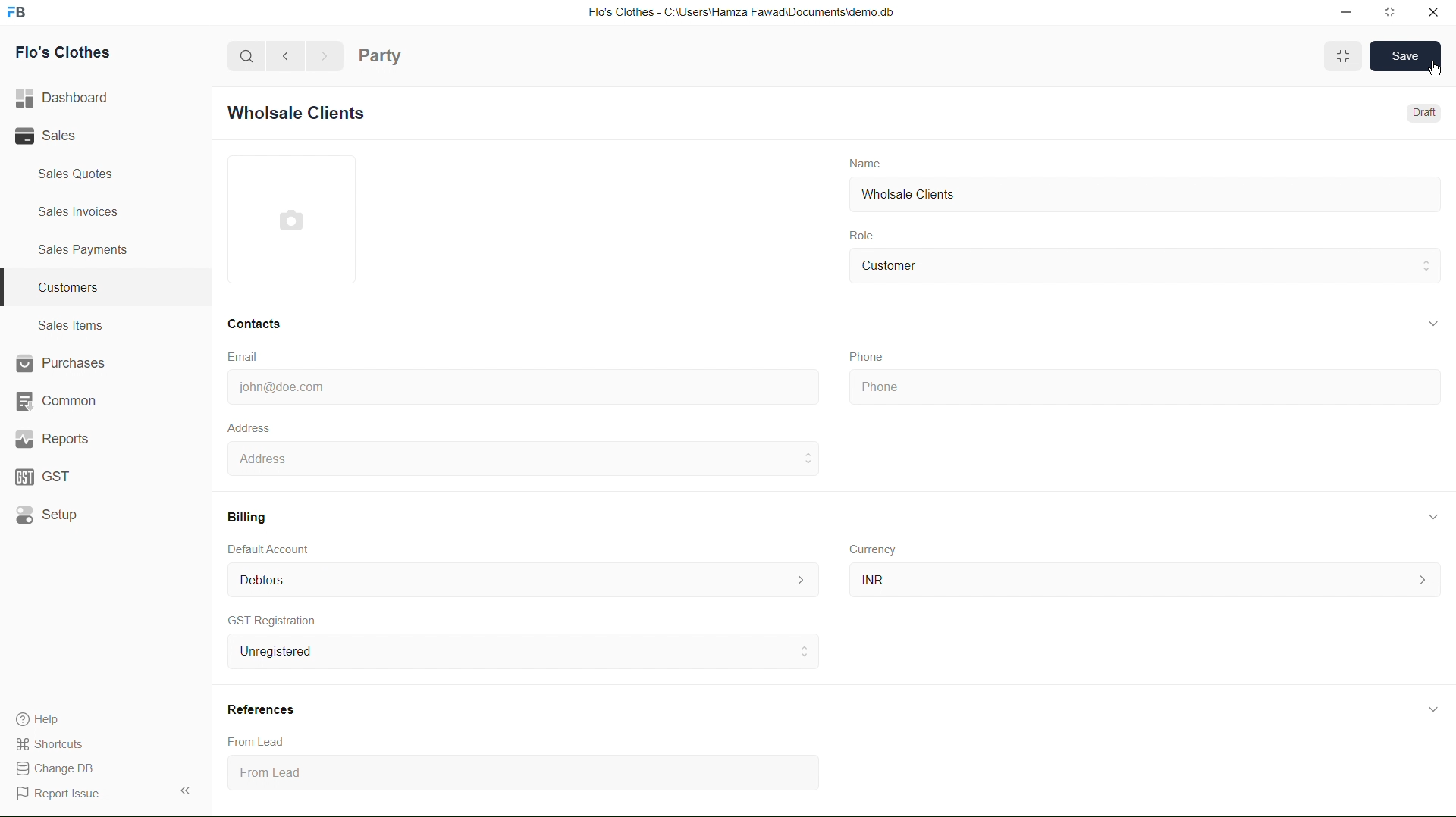  I want to click on Unregistered, so click(517, 653).